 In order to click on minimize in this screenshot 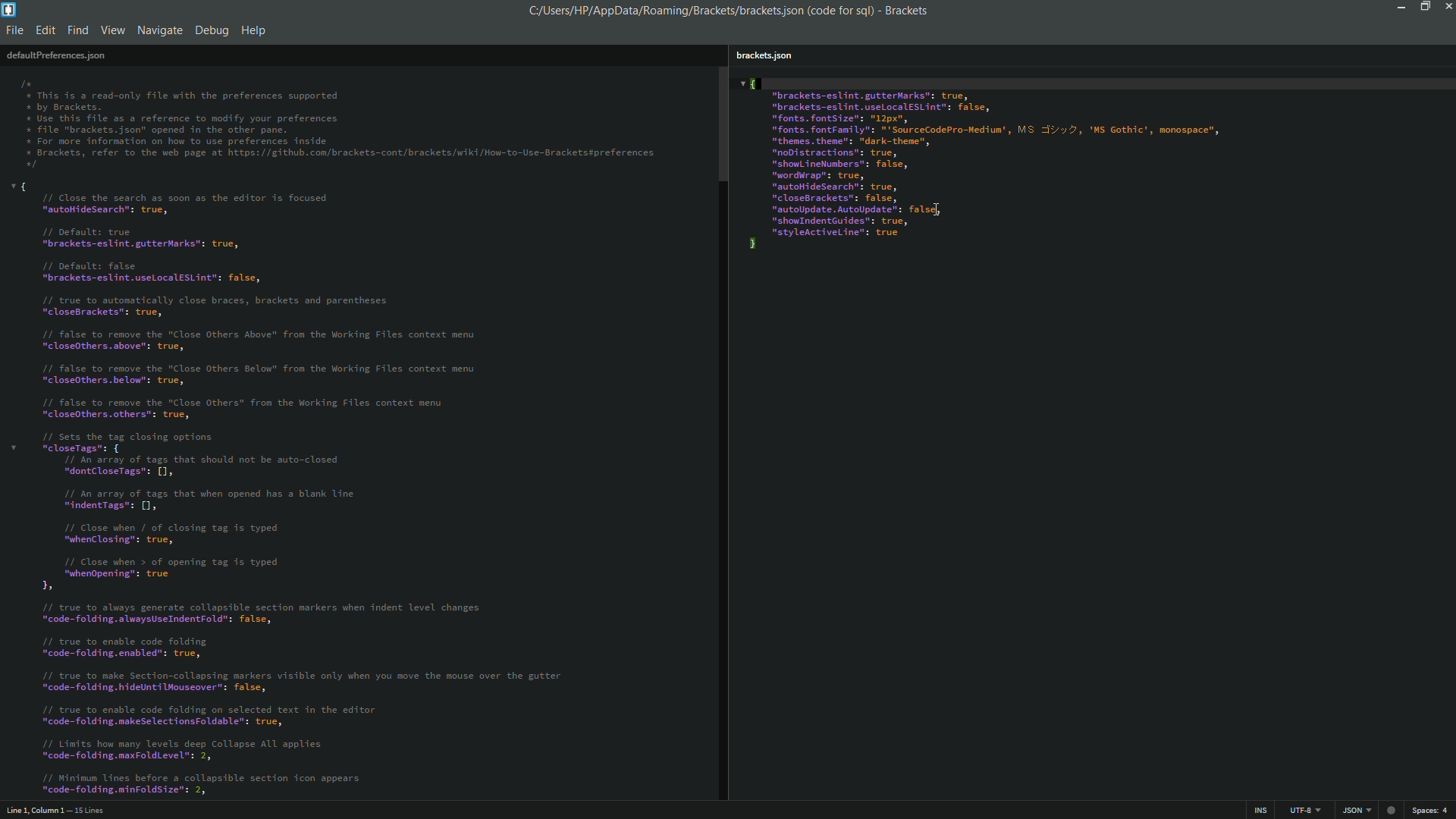, I will do `click(1401, 8)`.